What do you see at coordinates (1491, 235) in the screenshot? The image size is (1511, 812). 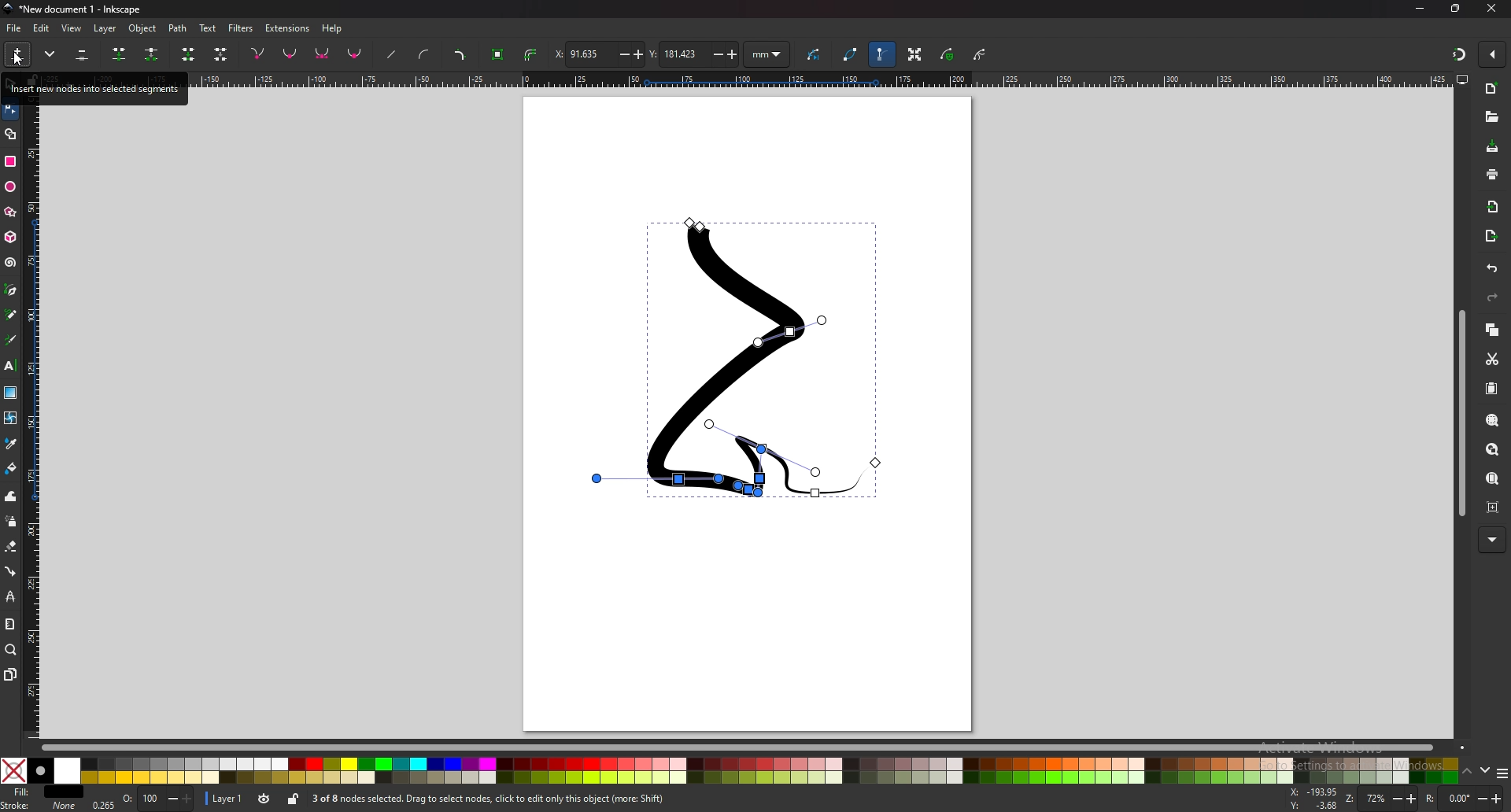 I see `export` at bounding box center [1491, 235].